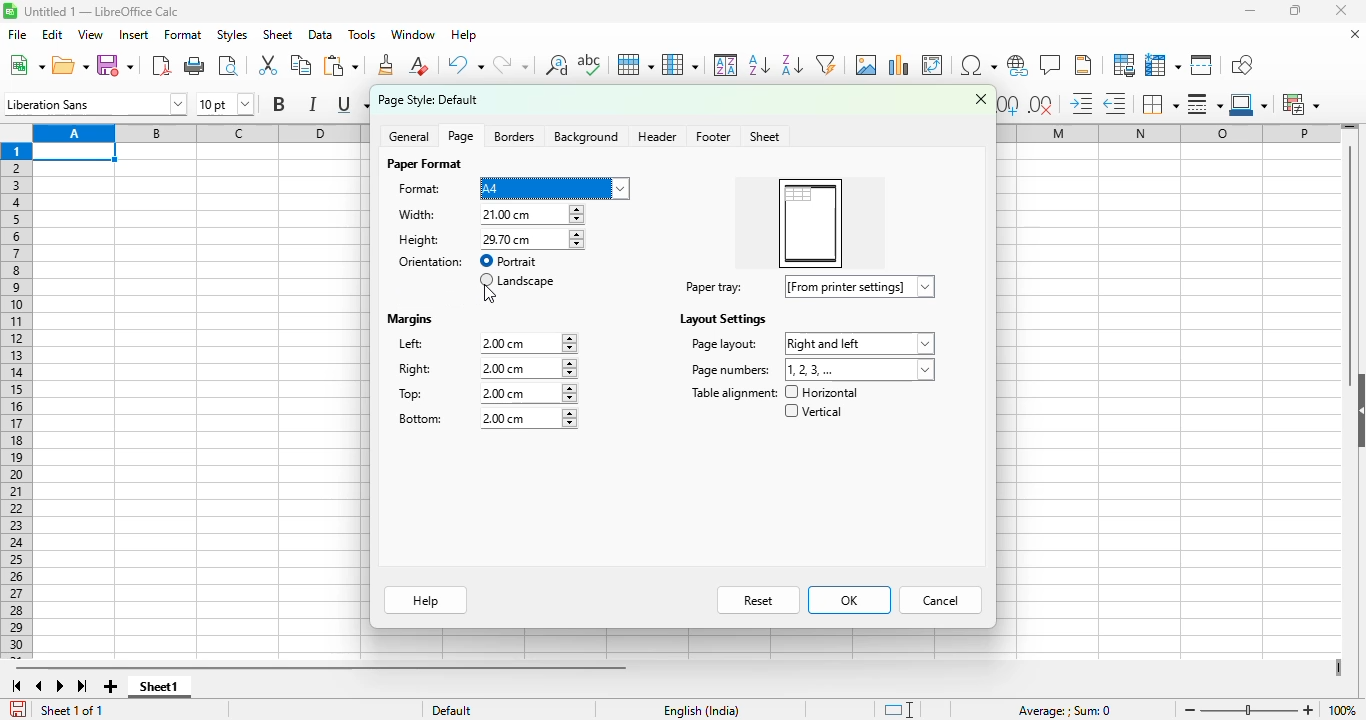 The width and height of the screenshot is (1366, 720). What do you see at coordinates (412, 34) in the screenshot?
I see `window` at bounding box center [412, 34].